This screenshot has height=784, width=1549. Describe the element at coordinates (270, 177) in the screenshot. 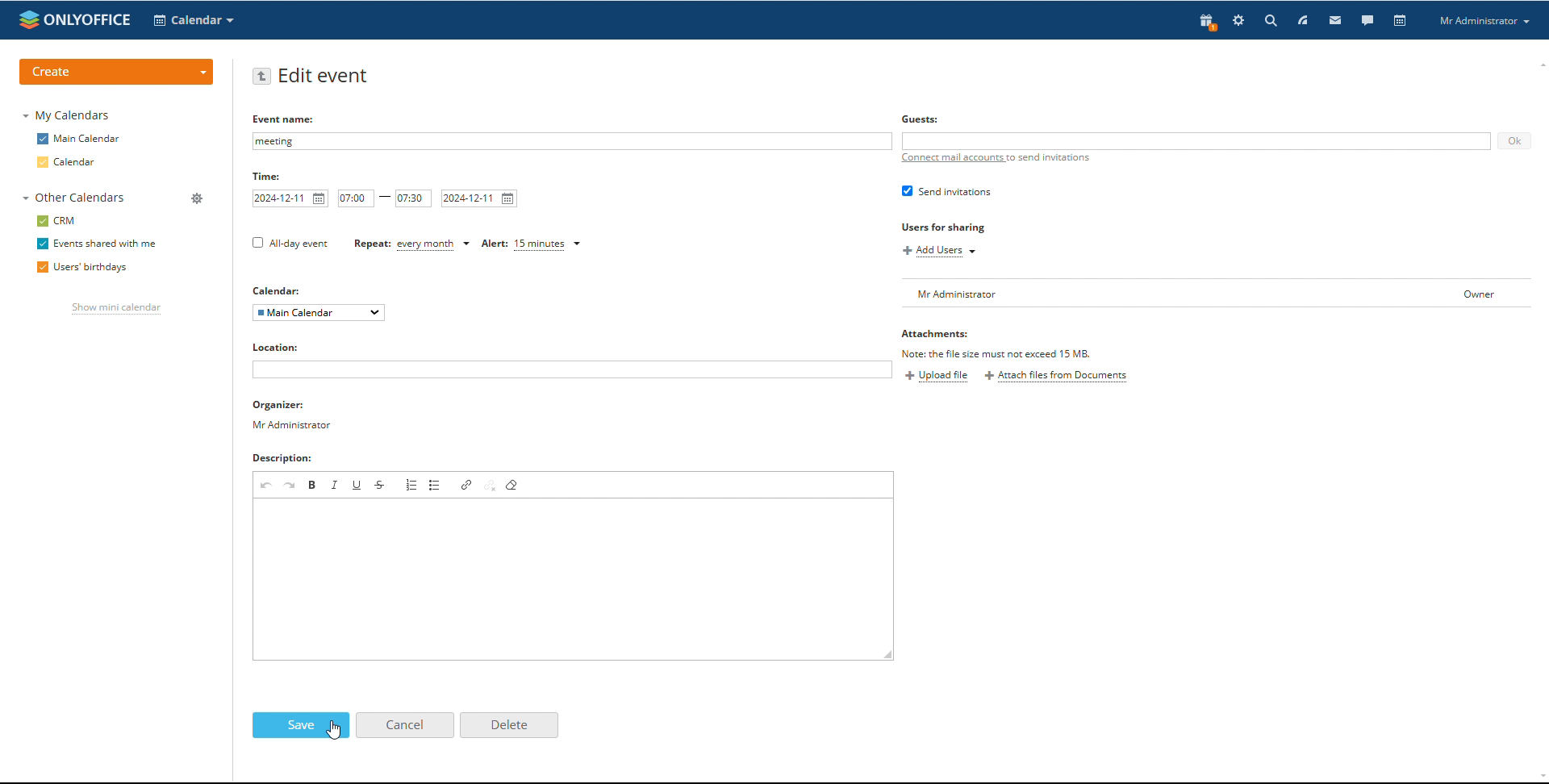

I see `Time:` at that location.